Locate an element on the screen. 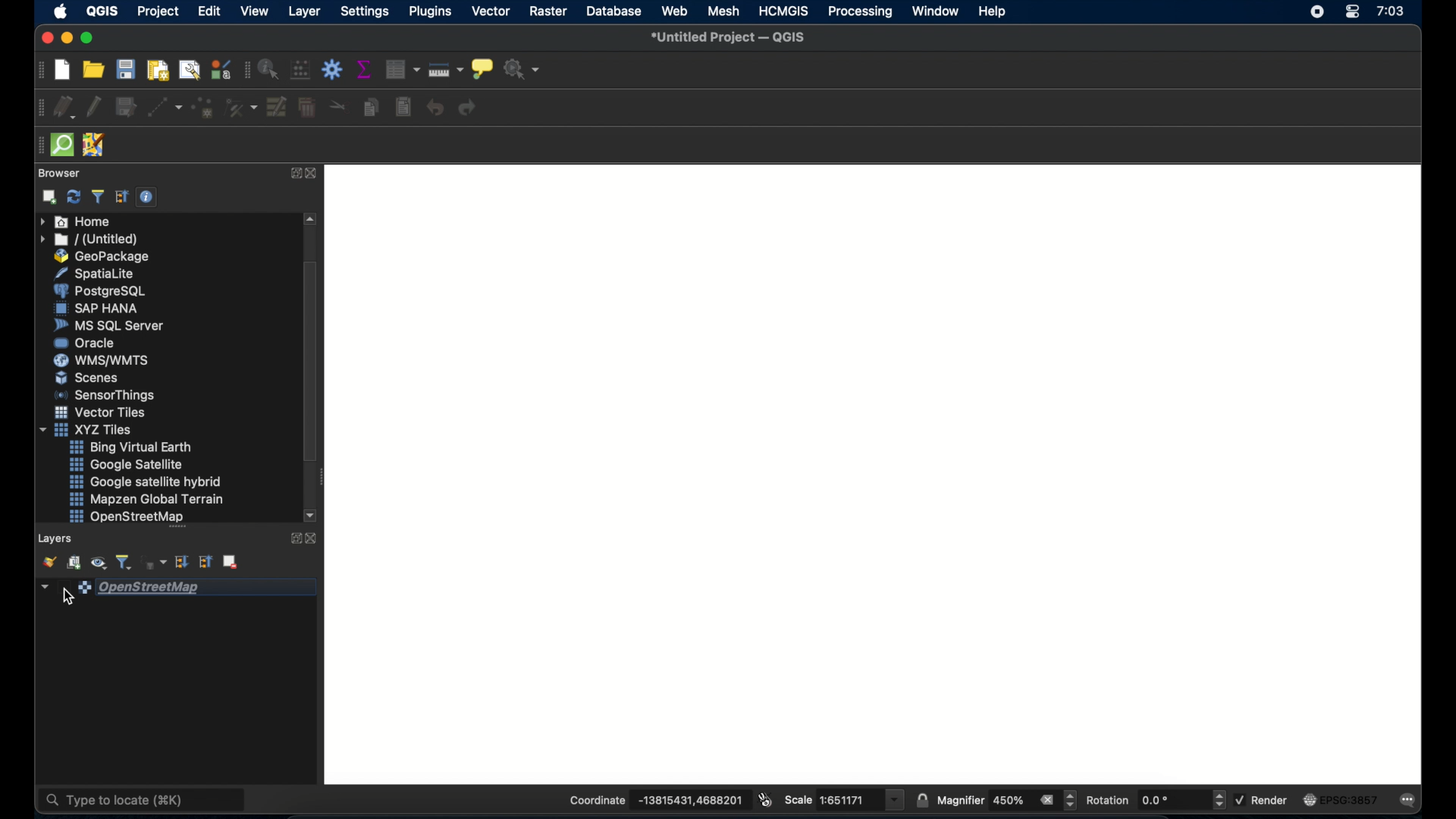  quick som is located at coordinates (63, 145).